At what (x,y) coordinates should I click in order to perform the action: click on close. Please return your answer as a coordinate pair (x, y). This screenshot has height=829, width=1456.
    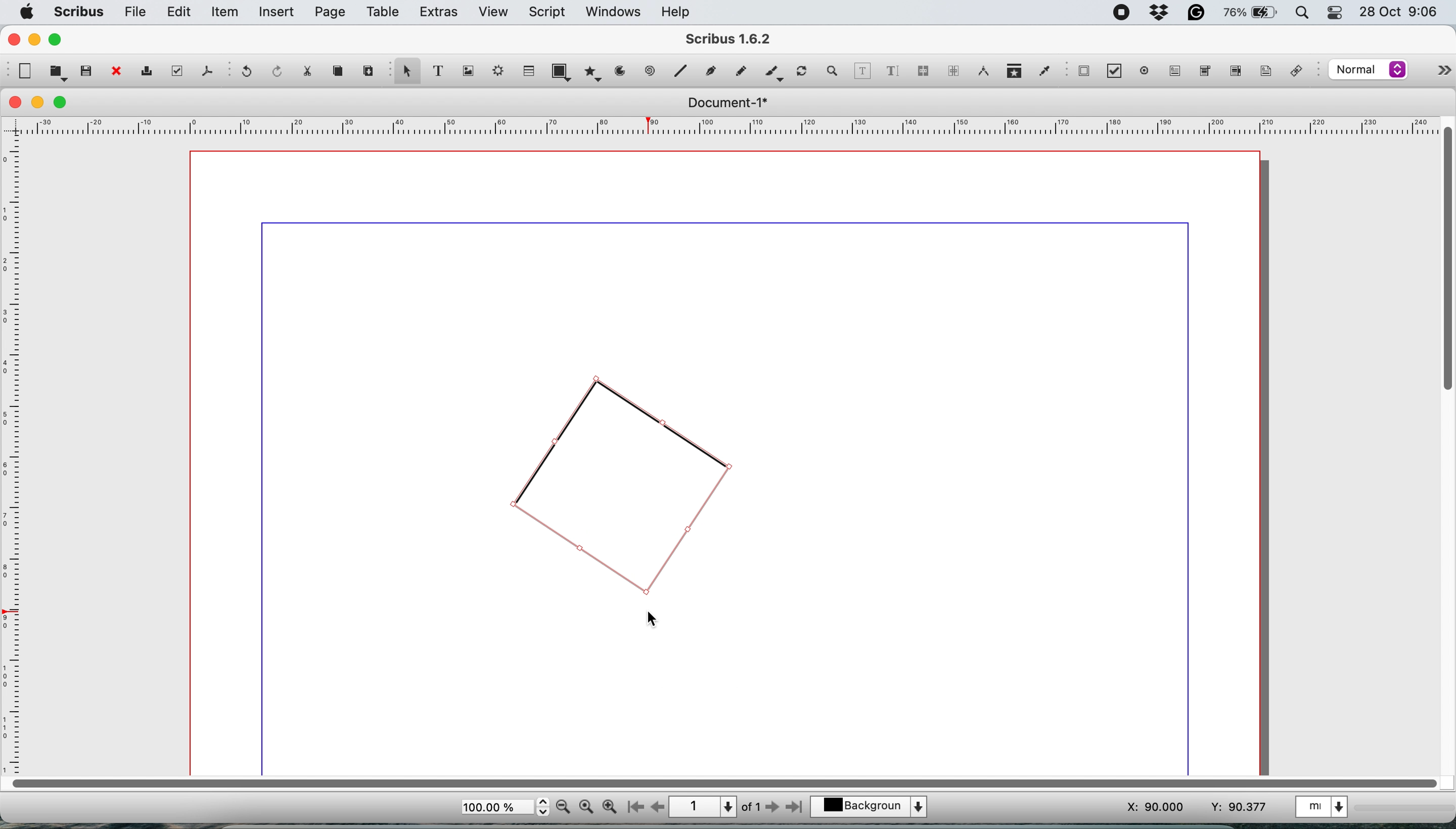
    Looking at the image, I should click on (13, 39).